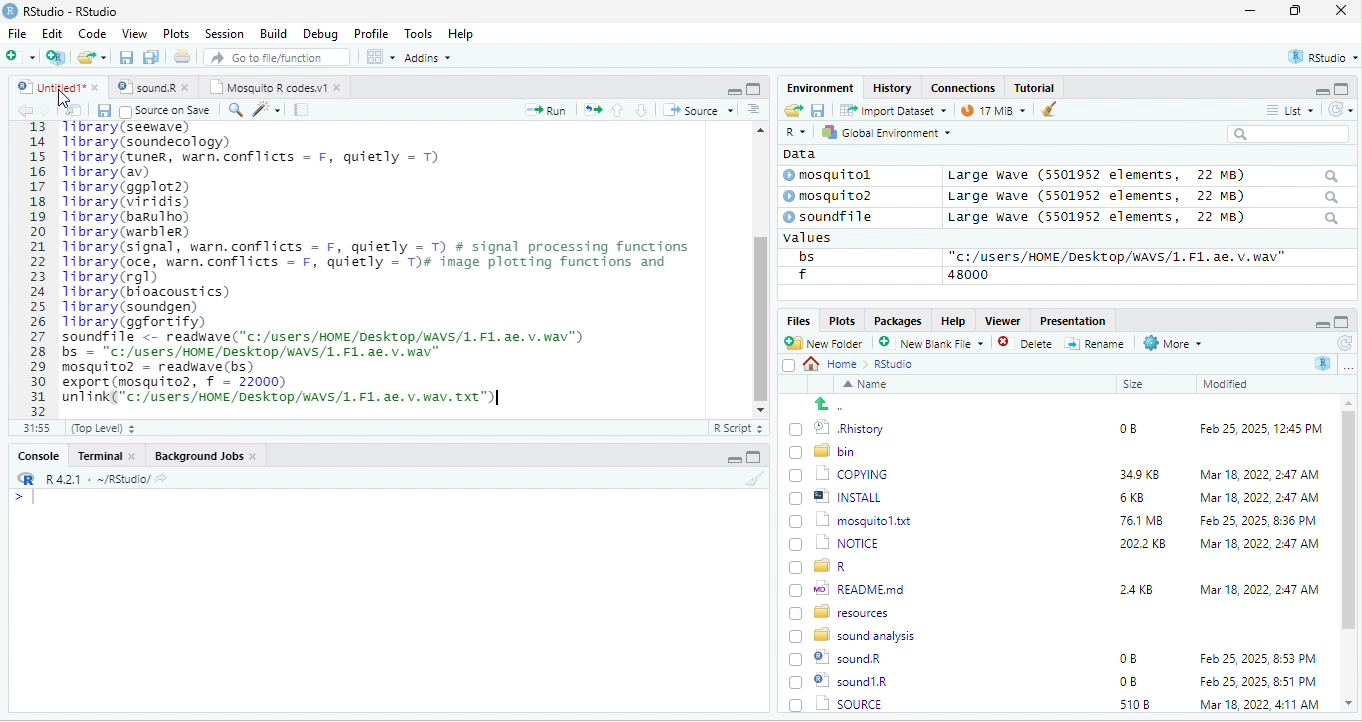  Describe the element at coordinates (825, 450) in the screenshot. I see `Ld bin` at that location.